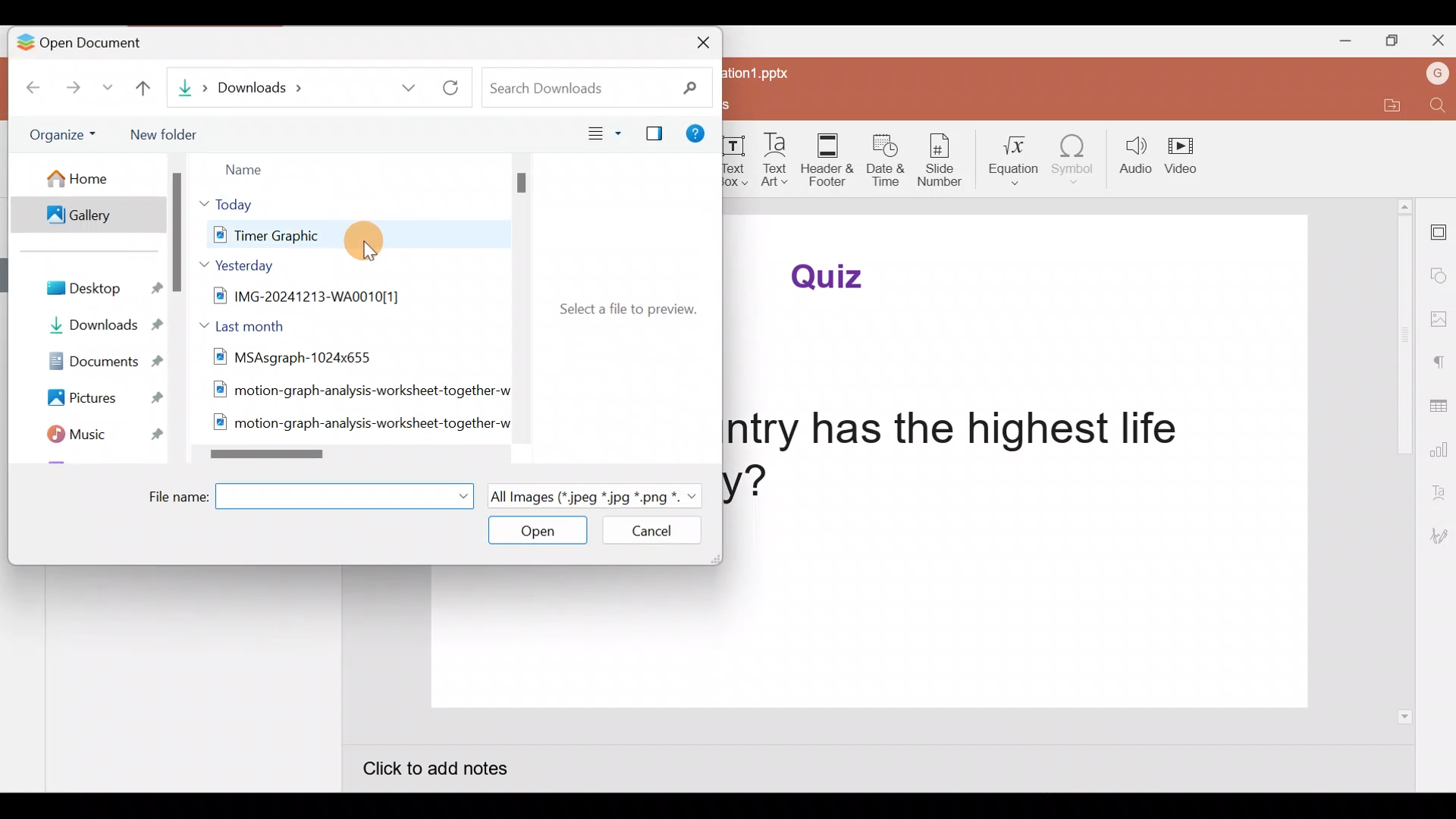 This screenshot has height=819, width=1456. I want to click on Open file location, so click(1389, 108).